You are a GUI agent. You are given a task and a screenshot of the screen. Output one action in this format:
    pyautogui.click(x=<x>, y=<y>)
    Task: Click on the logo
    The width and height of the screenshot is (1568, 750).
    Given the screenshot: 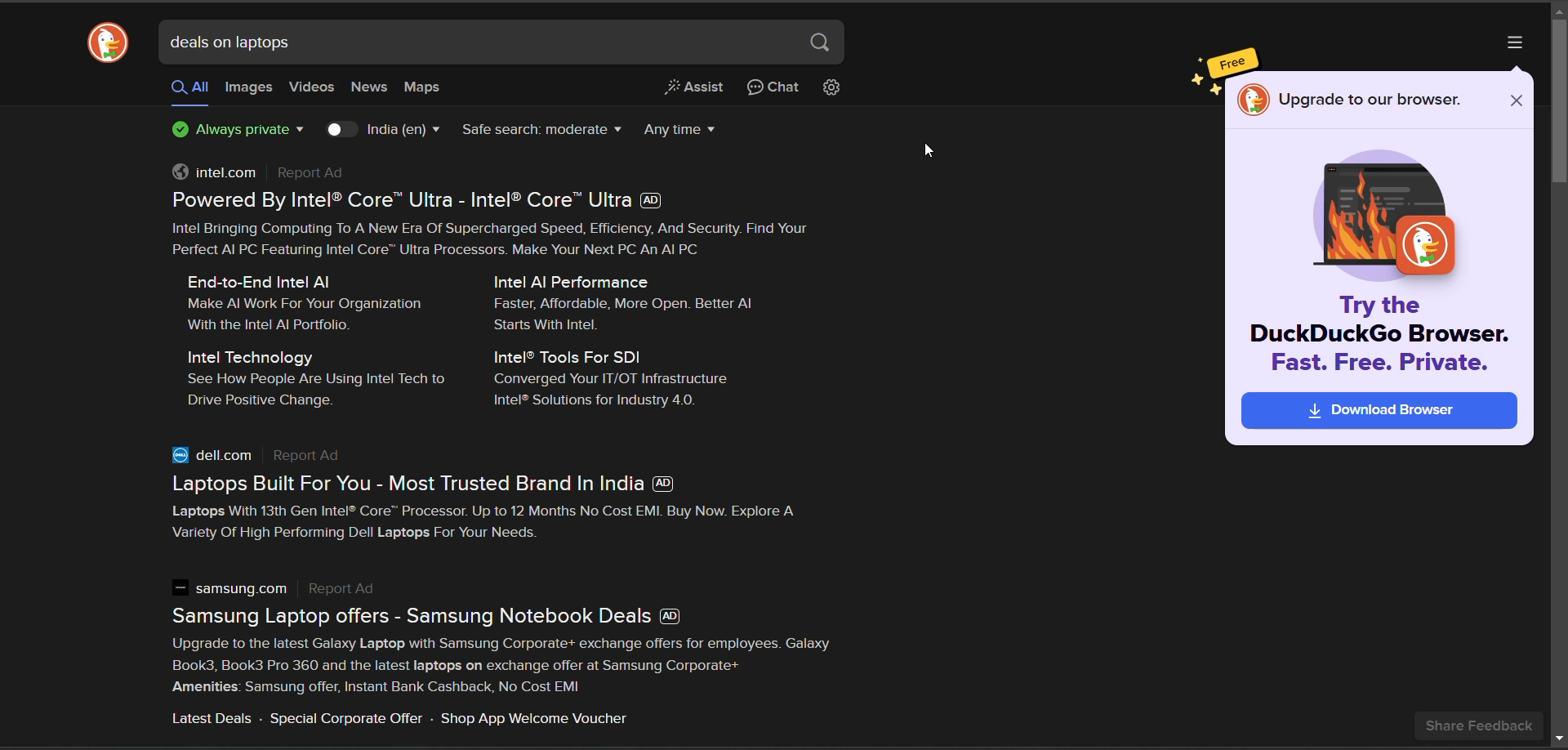 What is the action you would take?
    pyautogui.click(x=111, y=43)
    